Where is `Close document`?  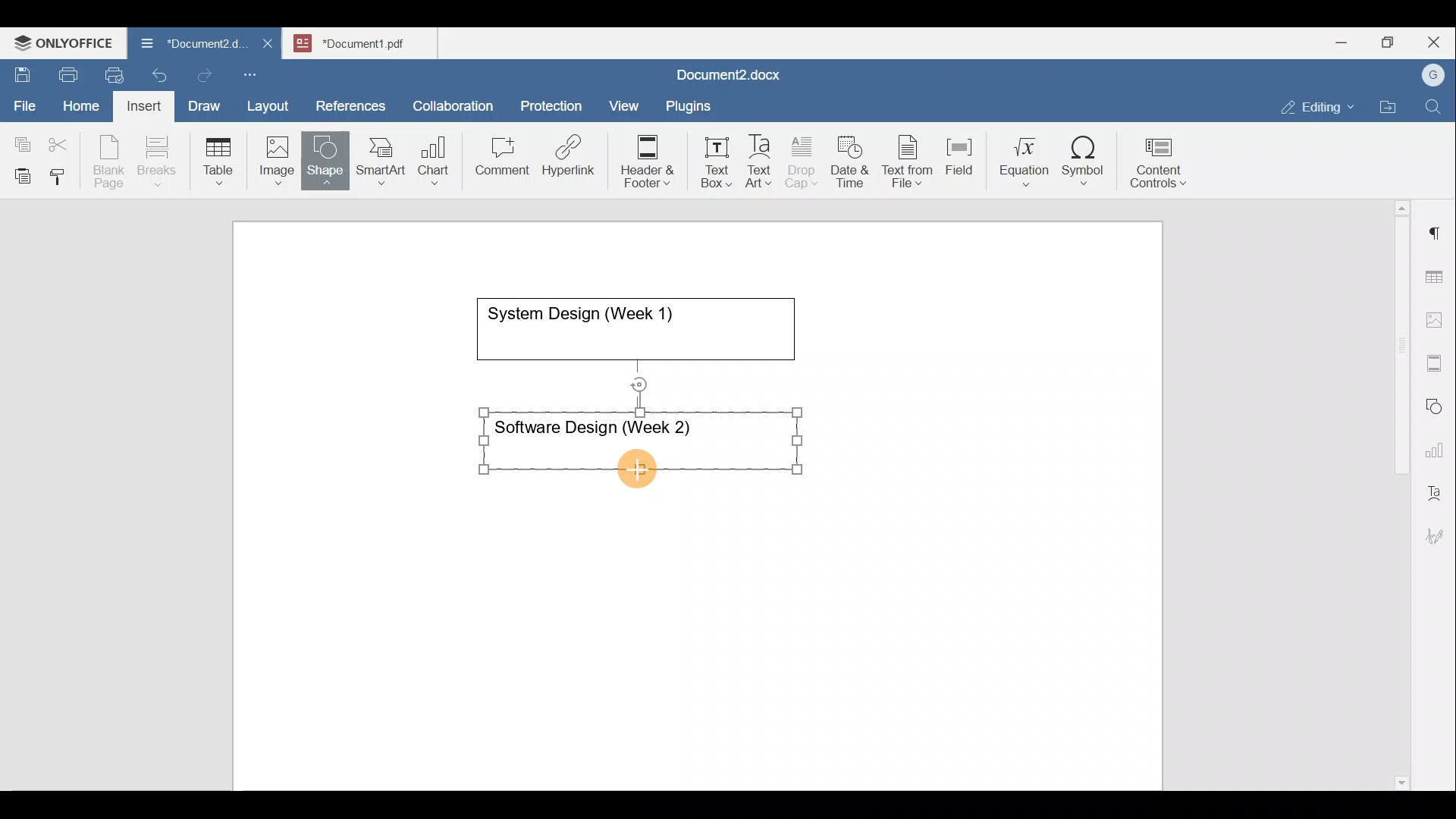
Close document is located at coordinates (268, 45).